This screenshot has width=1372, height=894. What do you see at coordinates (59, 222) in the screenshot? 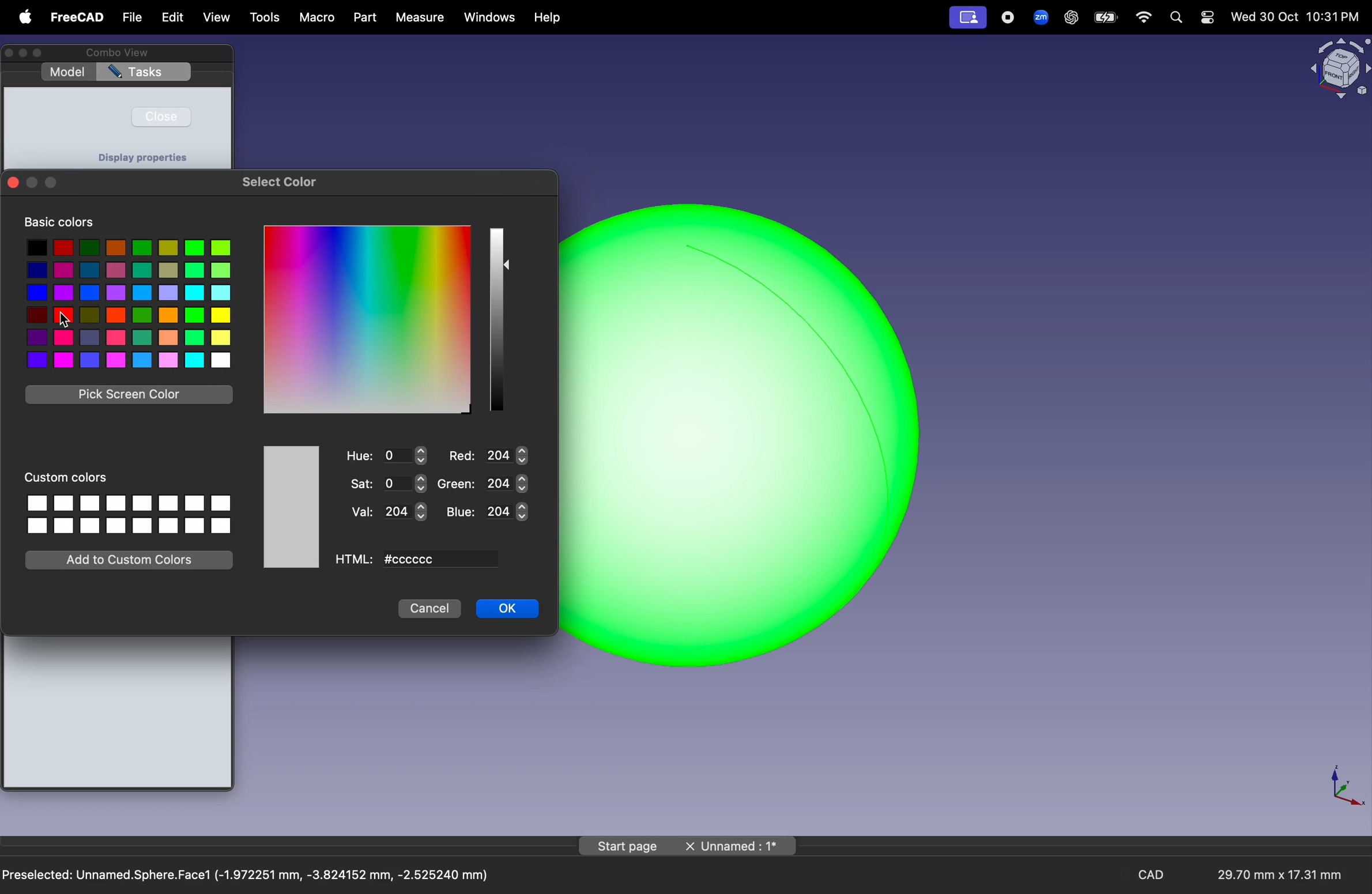
I see `basic colors` at bounding box center [59, 222].